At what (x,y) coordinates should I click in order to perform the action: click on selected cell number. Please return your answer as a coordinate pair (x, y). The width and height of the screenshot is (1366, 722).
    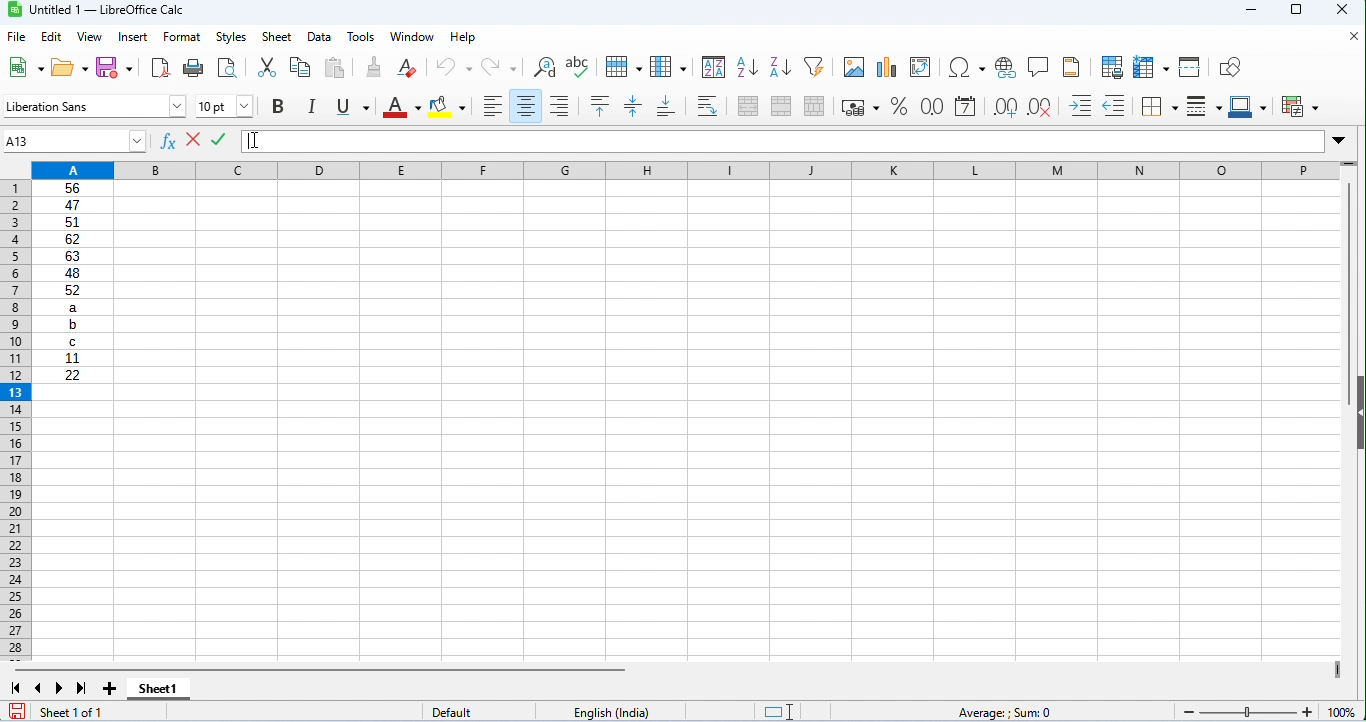
    Looking at the image, I should click on (65, 141).